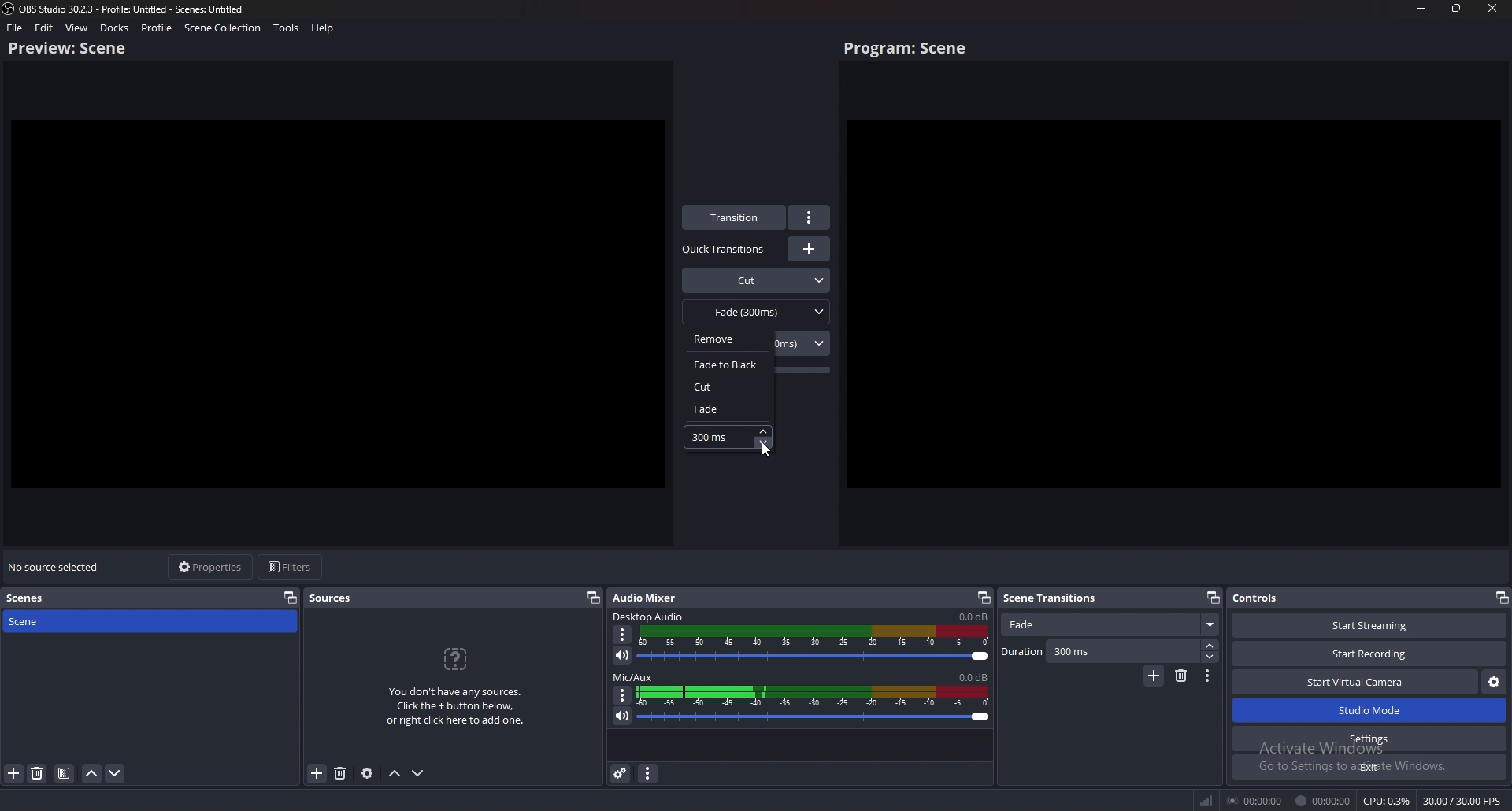  What do you see at coordinates (286, 28) in the screenshot?
I see `tools` at bounding box center [286, 28].